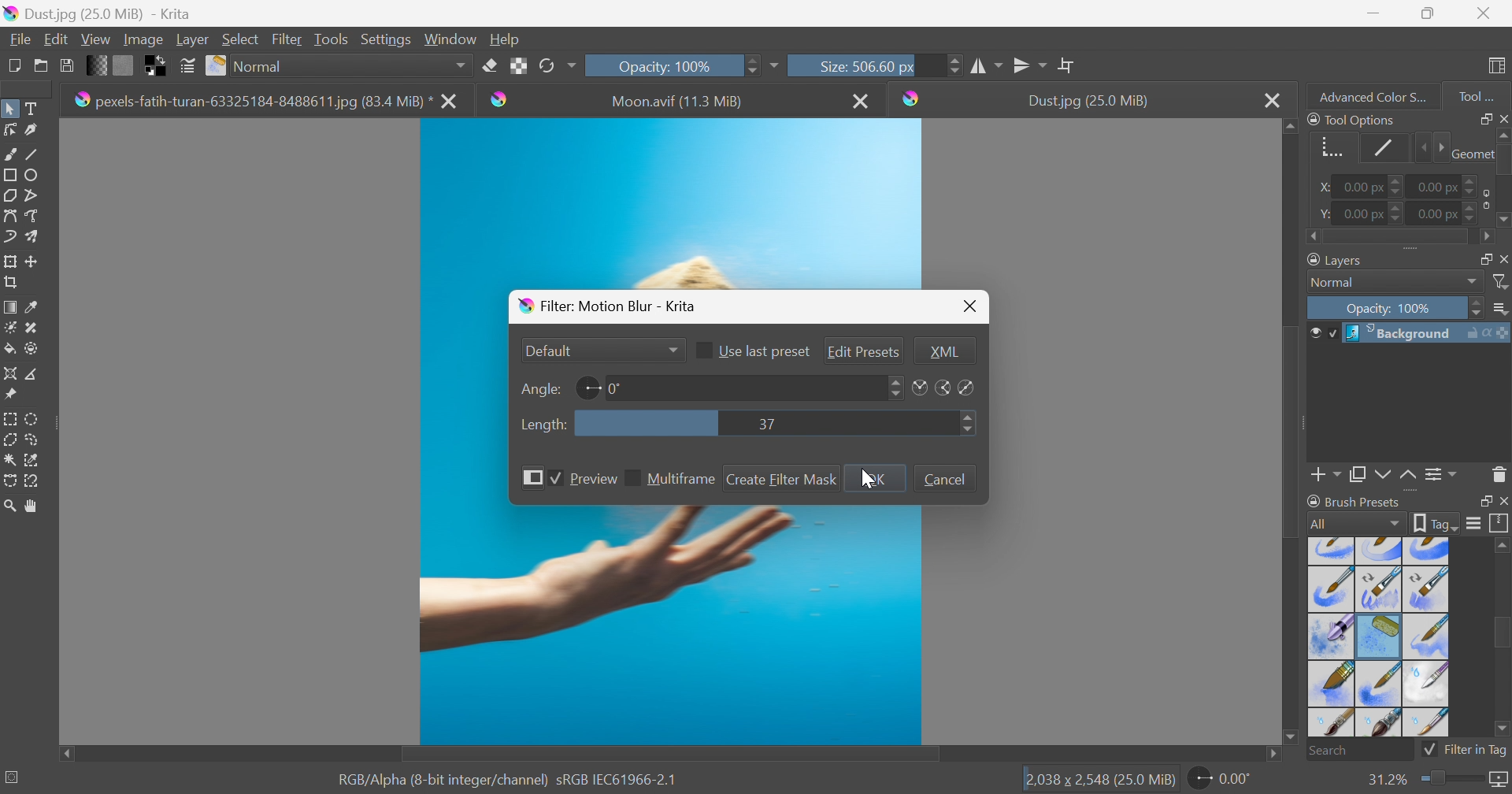 This screenshot has height=794, width=1512. What do you see at coordinates (1428, 13) in the screenshot?
I see `Restore Down` at bounding box center [1428, 13].